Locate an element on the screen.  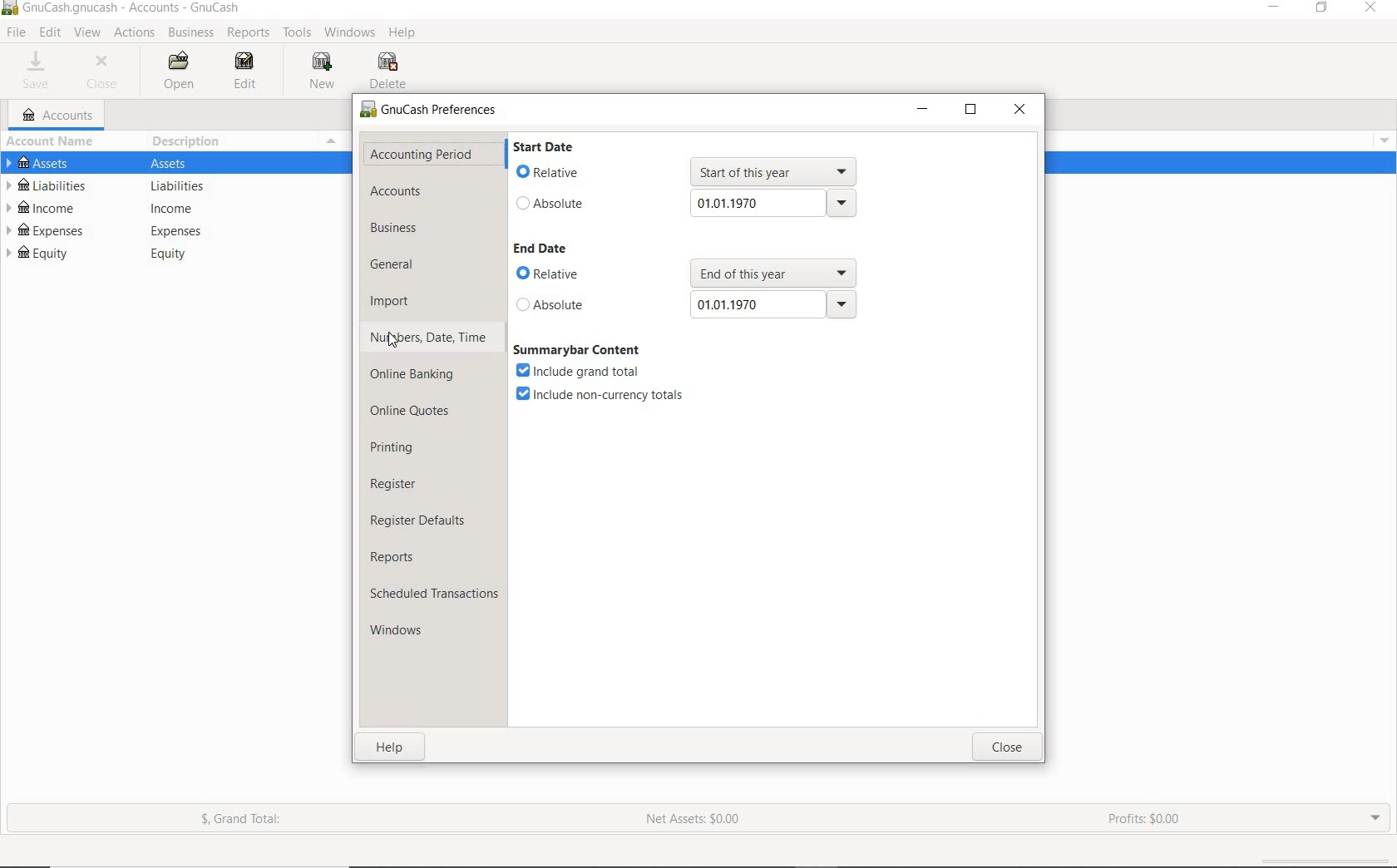
DESCRIPTION is located at coordinates (189, 141).